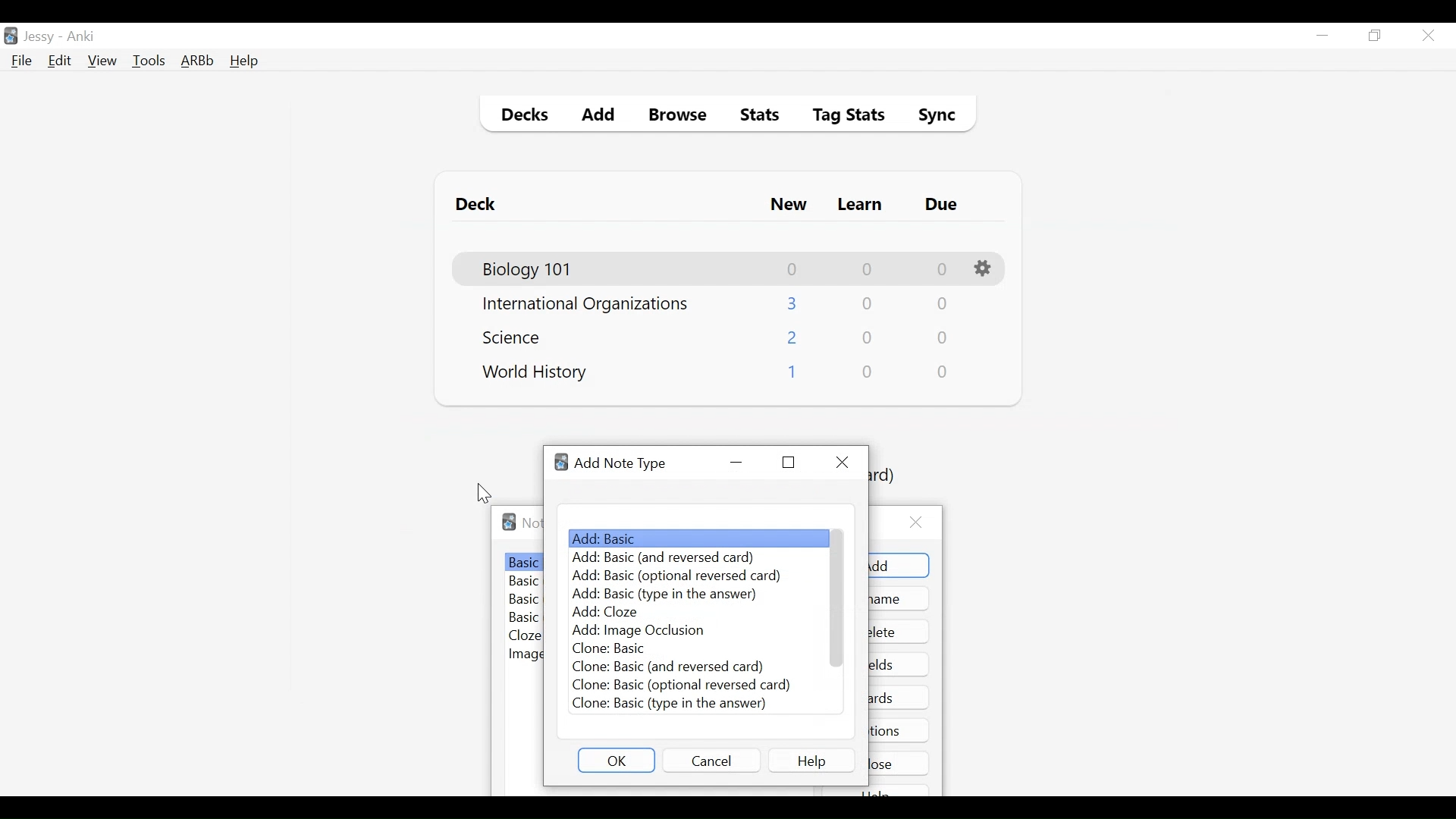 The image size is (1456, 819). What do you see at coordinates (11, 36) in the screenshot?
I see `Anki Desktop icon` at bounding box center [11, 36].